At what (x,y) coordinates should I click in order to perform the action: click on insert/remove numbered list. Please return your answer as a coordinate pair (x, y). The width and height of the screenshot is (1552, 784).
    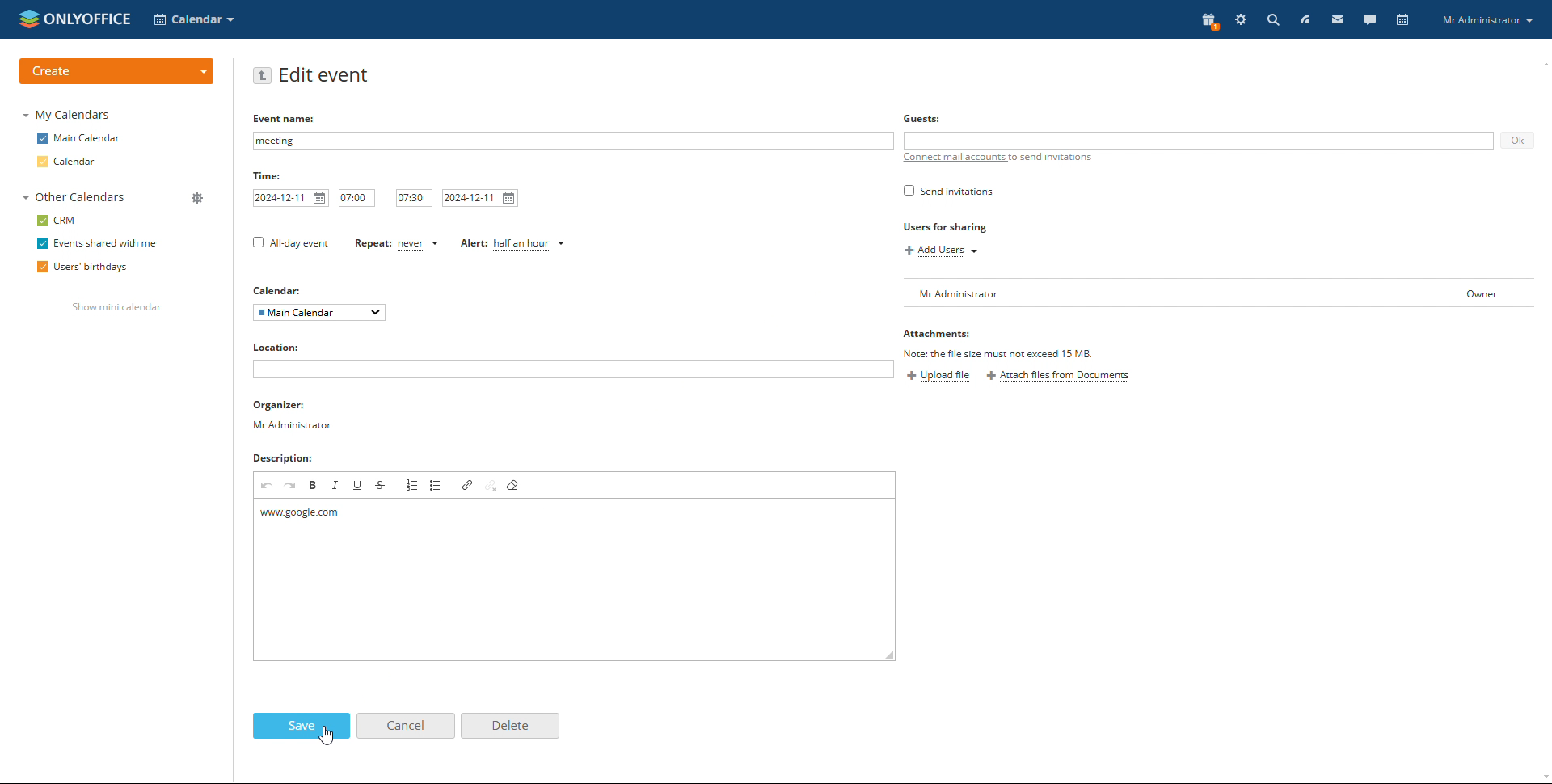
    Looking at the image, I should click on (414, 485).